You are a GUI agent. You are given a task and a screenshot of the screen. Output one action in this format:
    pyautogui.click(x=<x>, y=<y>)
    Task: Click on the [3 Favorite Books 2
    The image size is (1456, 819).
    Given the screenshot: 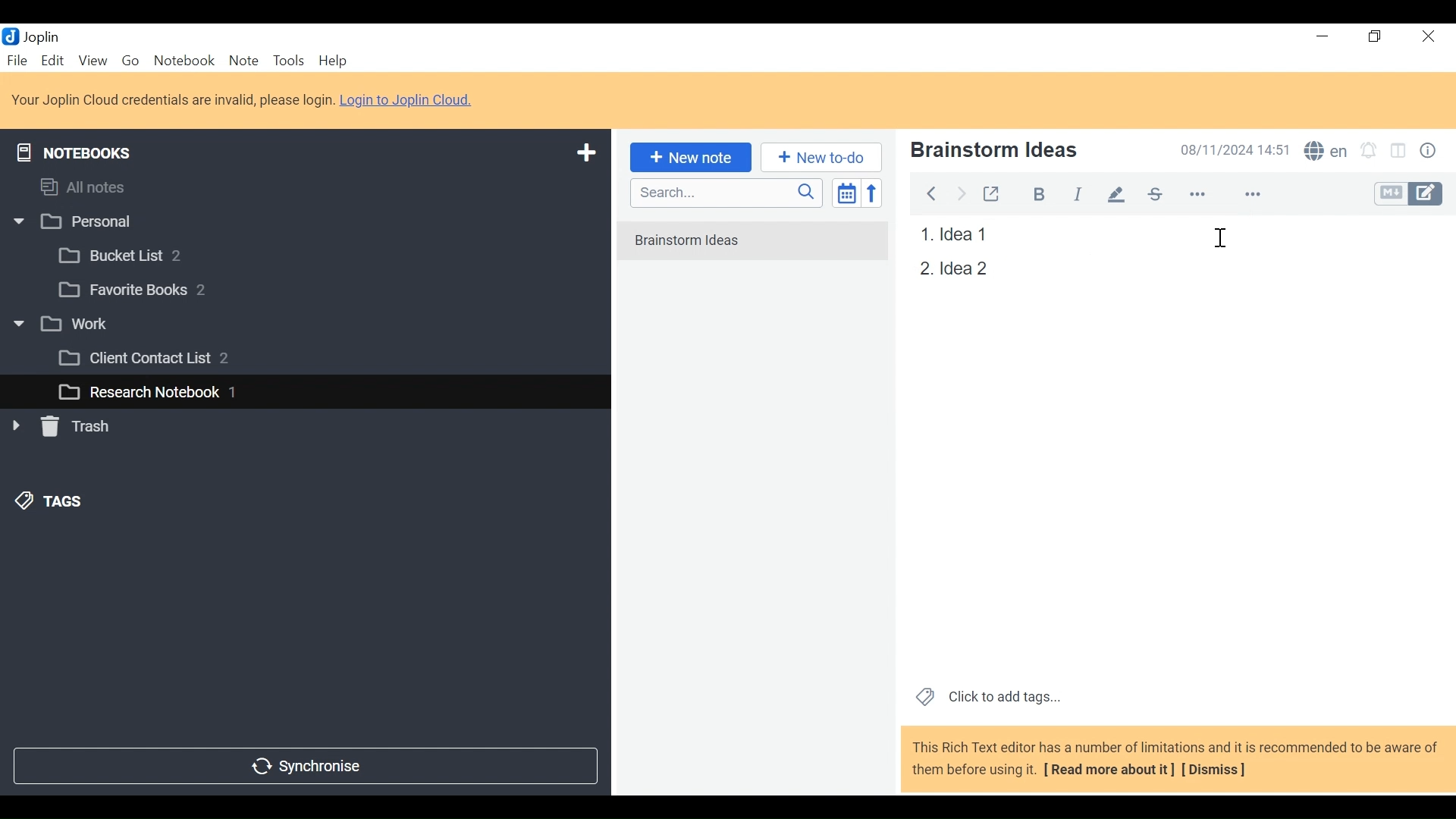 What is the action you would take?
    pyautogui.click(x=145, y=290)
    